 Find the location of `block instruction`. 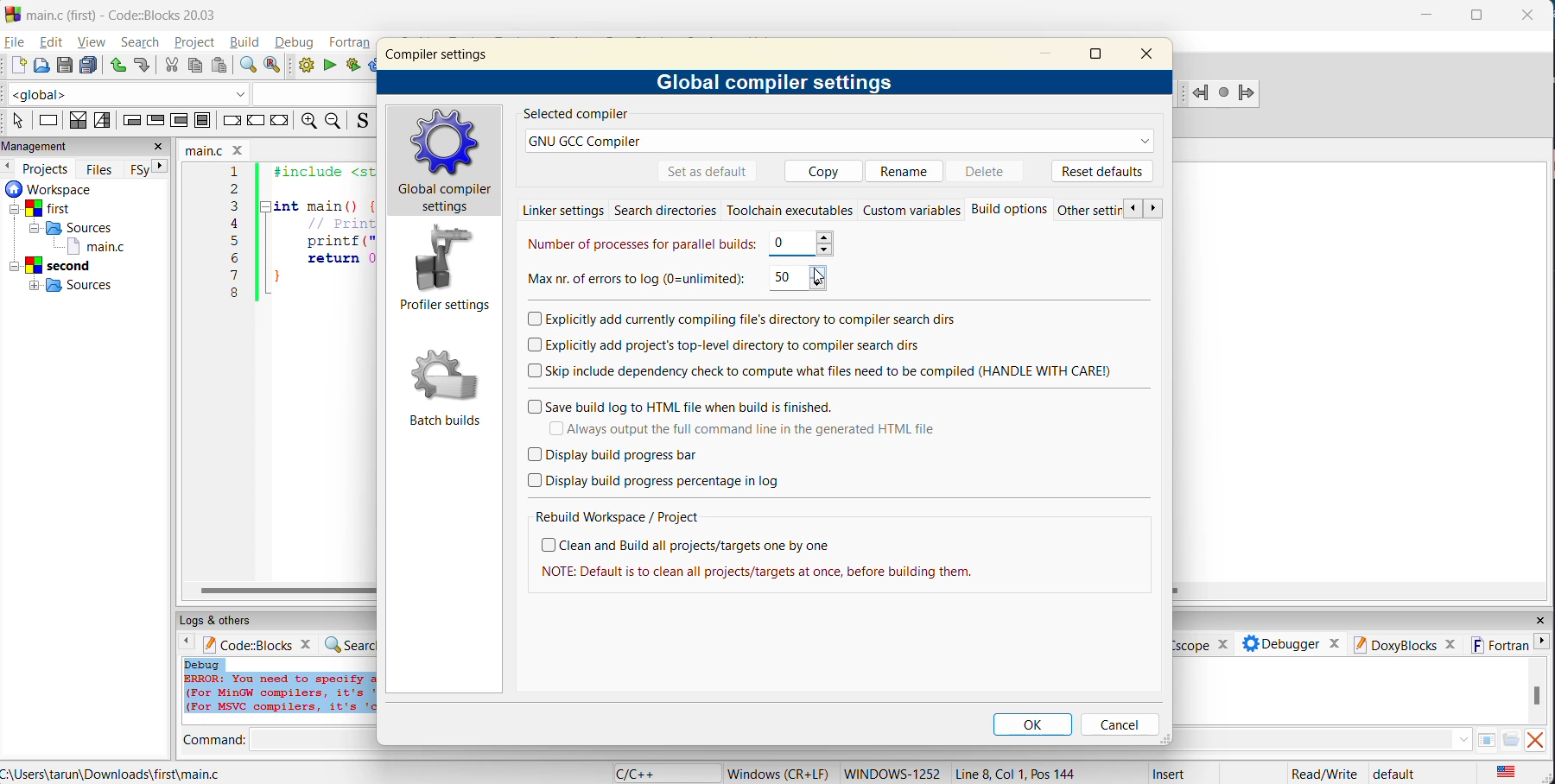

block instruction is located at coordinates (202, 121).